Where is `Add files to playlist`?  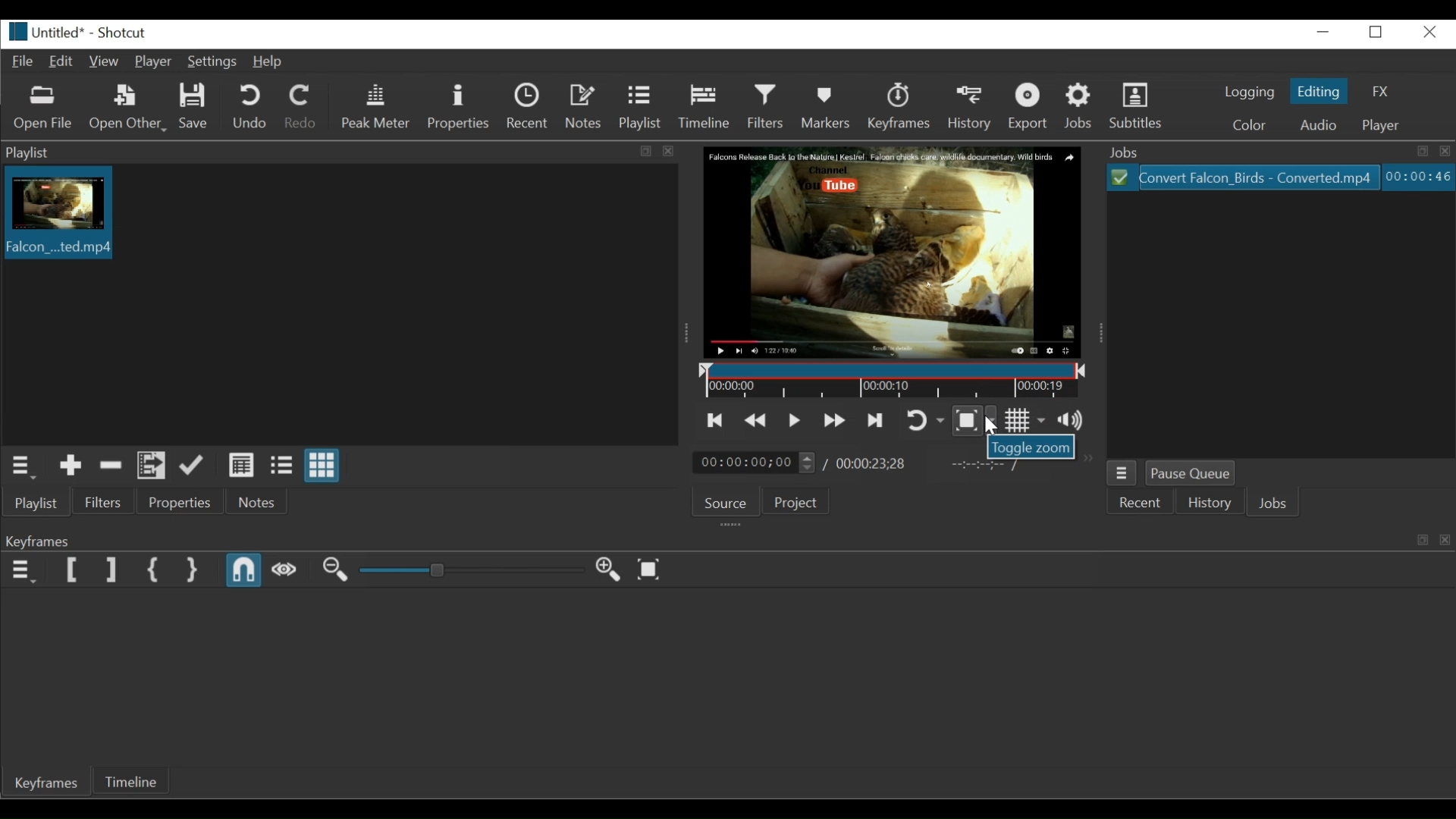
Add files to playlist is located at coordinates (151, 466).